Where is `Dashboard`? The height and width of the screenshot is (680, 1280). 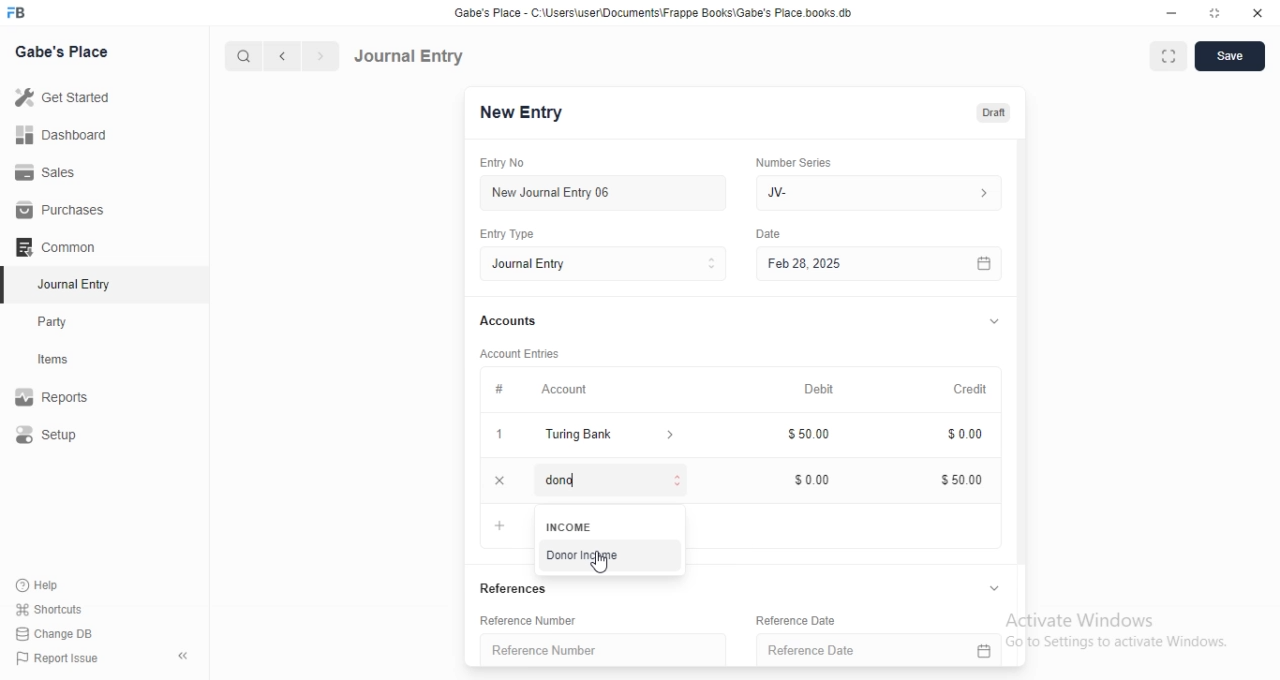
Dashboard is located at coordinates (66, 134).